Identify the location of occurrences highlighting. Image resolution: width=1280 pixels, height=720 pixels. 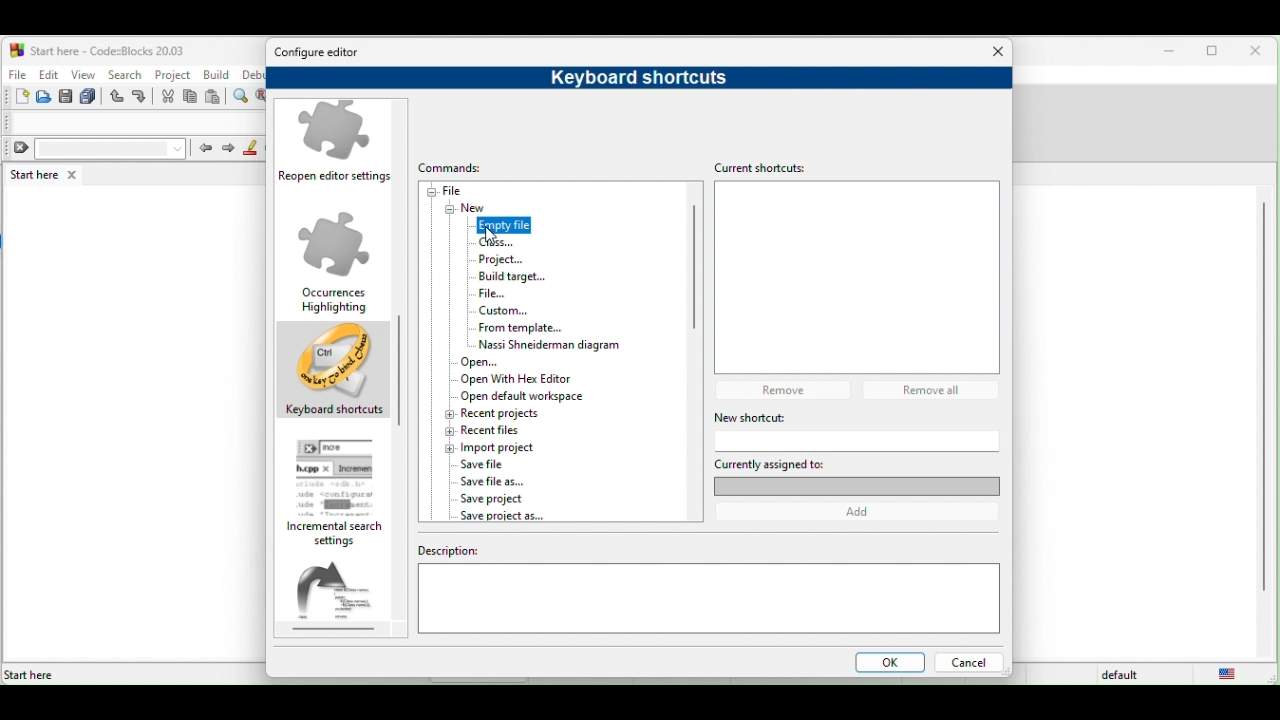
(335, 261).